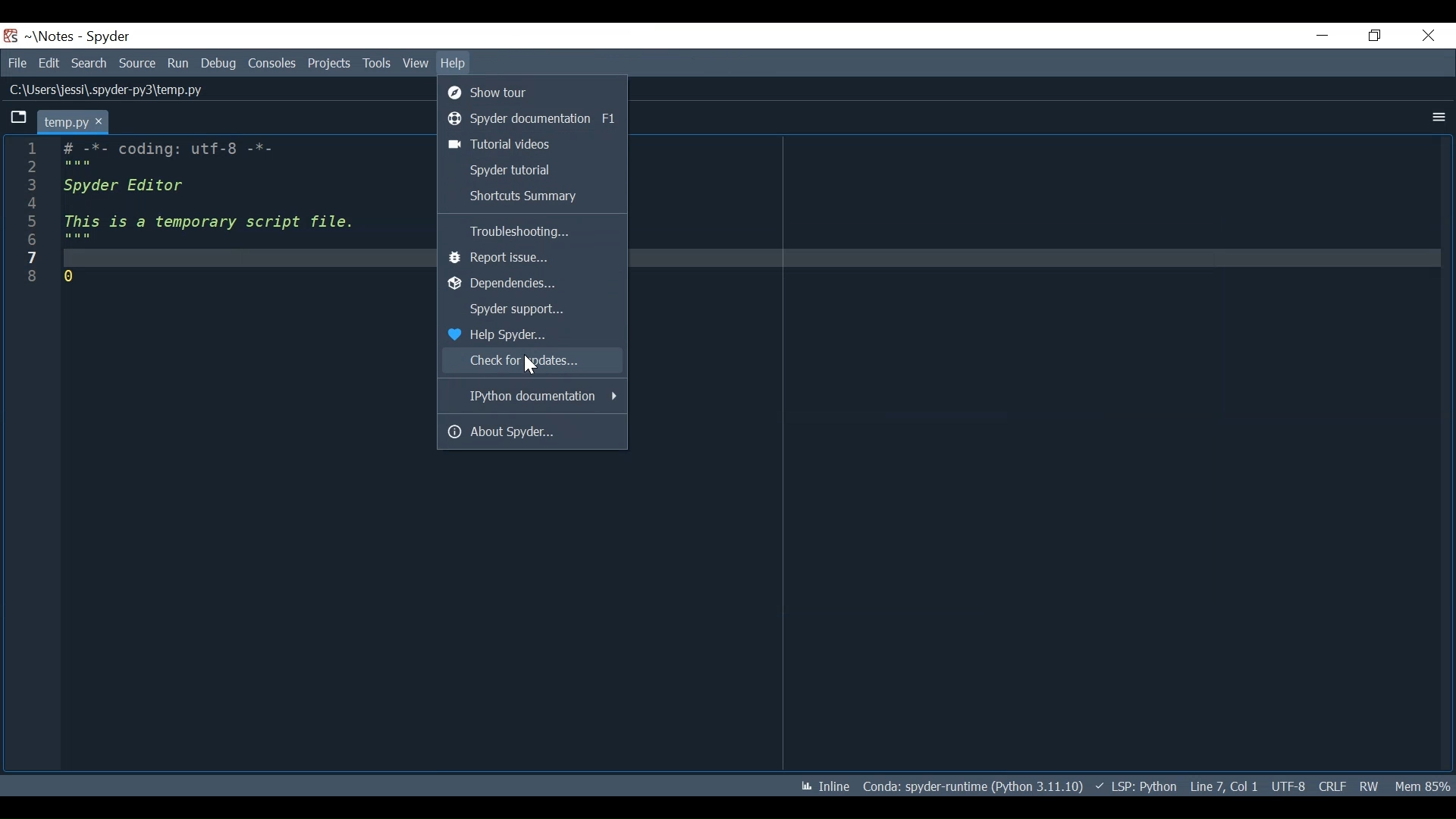 This screenshot has height=819, width=1456. What do you see at coordinates (19, 118) in the screenshot?
I see `Browse Tab` at bounding box center [19, 118].